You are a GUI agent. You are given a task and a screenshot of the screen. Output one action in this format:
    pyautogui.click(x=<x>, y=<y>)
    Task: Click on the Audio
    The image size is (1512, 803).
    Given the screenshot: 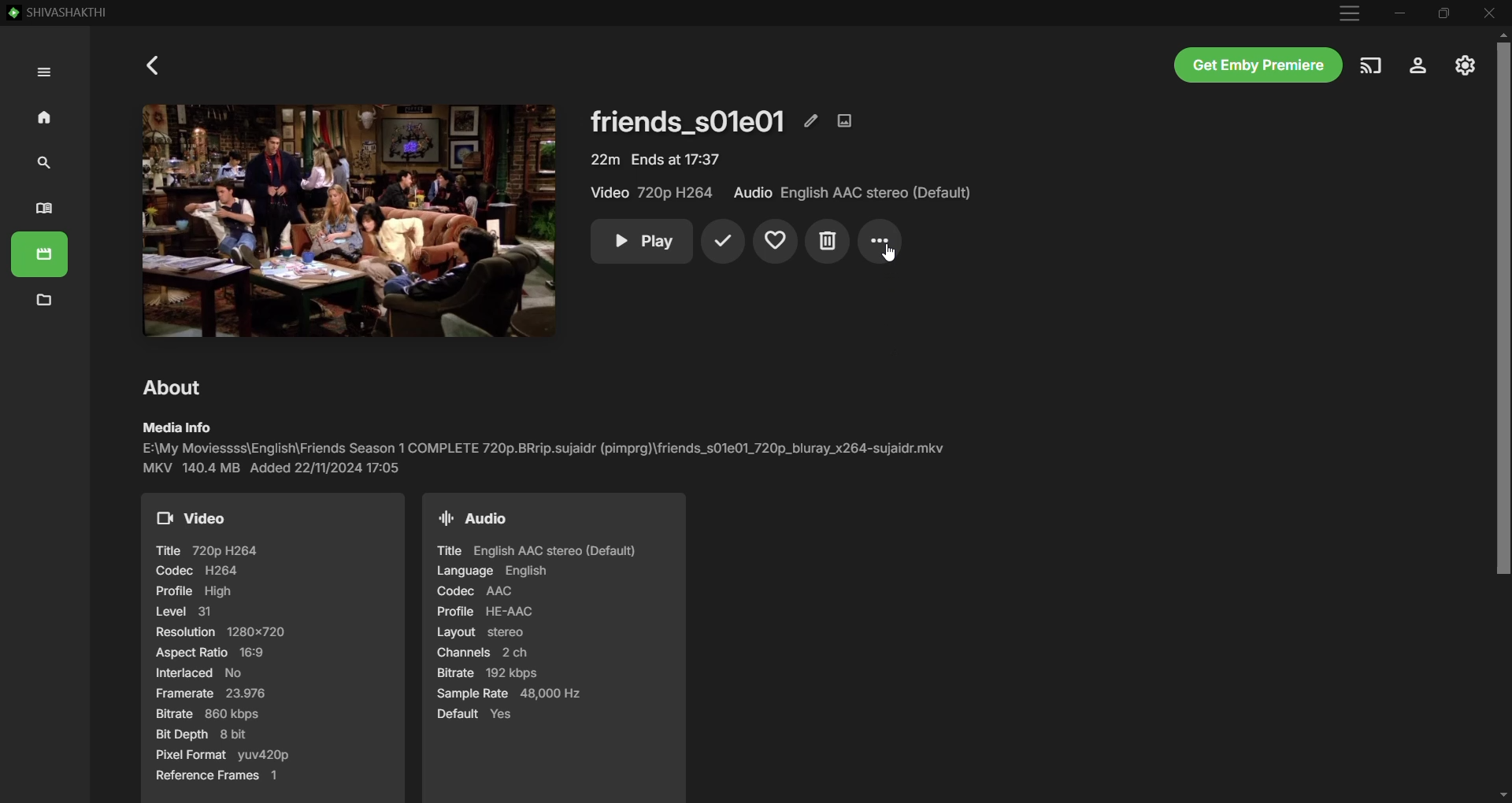 What is the action you would take?
    pyautogui.click(x=853, y=193)
    